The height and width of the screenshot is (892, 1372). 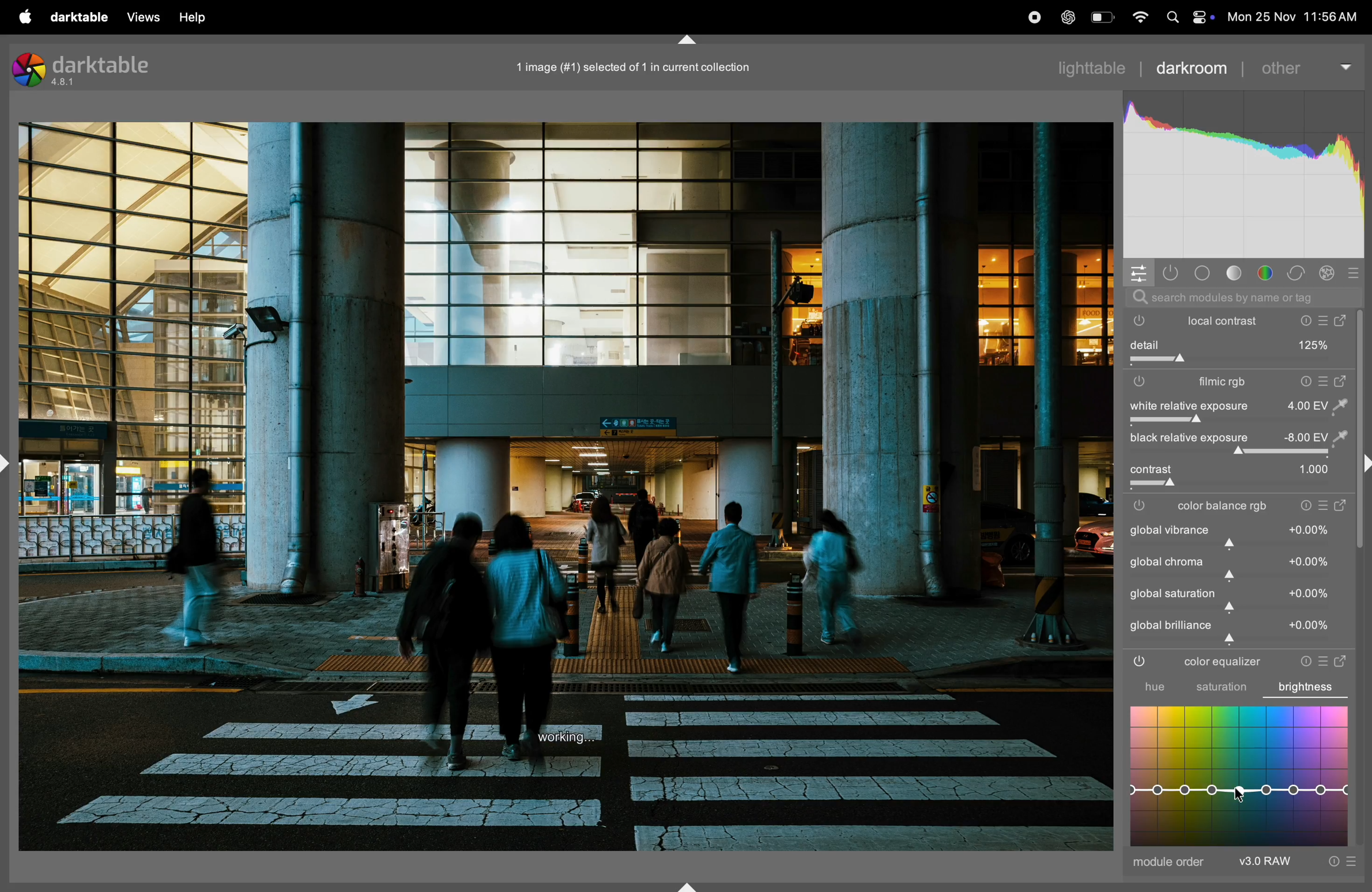 I want to click on filmic rgb, so click(x=1213, y=383).